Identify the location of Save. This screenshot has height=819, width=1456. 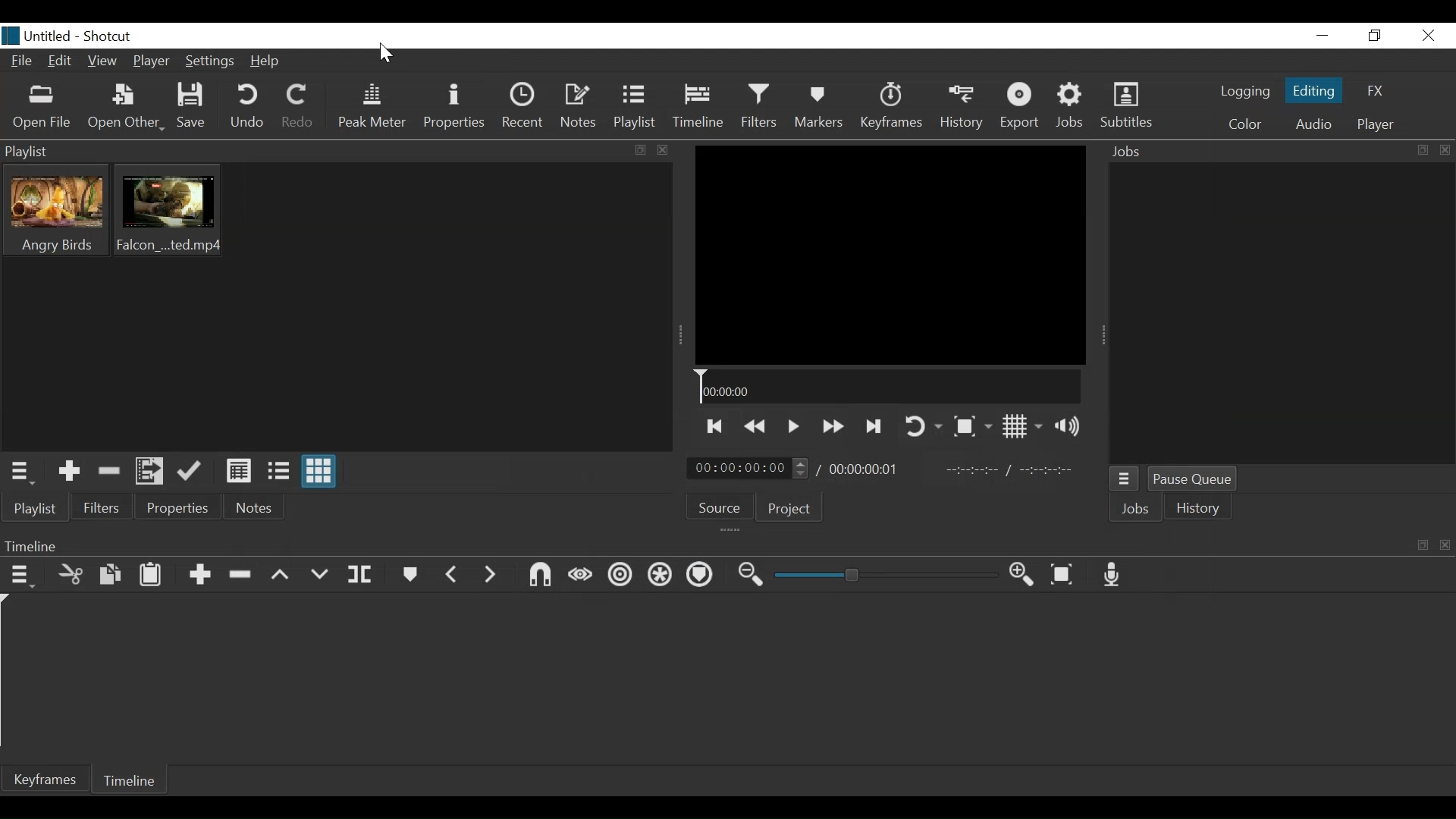
(193, 107).